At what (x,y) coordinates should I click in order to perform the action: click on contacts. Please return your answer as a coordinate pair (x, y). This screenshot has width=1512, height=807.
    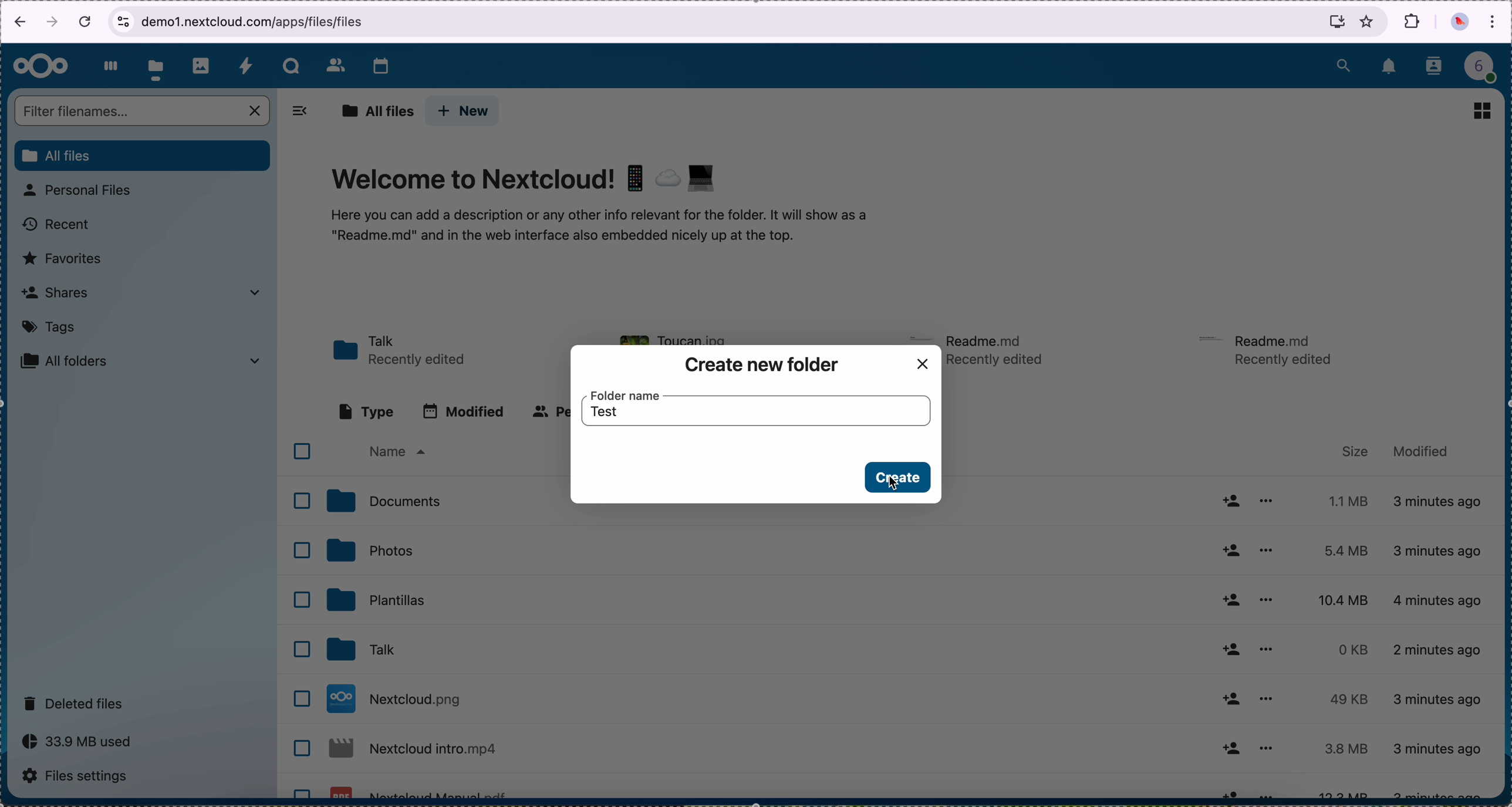
    Looking at the image, I should click on (1435, 67).